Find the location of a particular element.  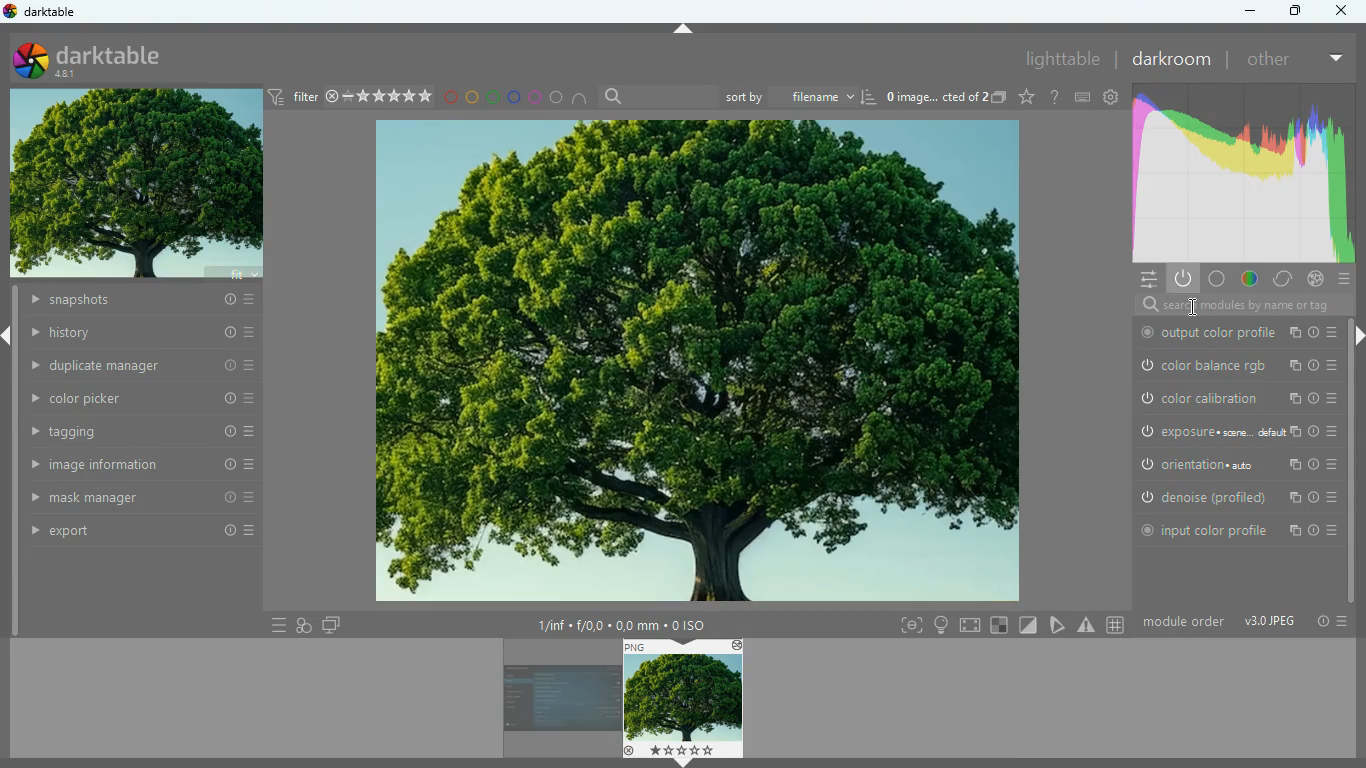

edit is located at coordinates (1059, 625).